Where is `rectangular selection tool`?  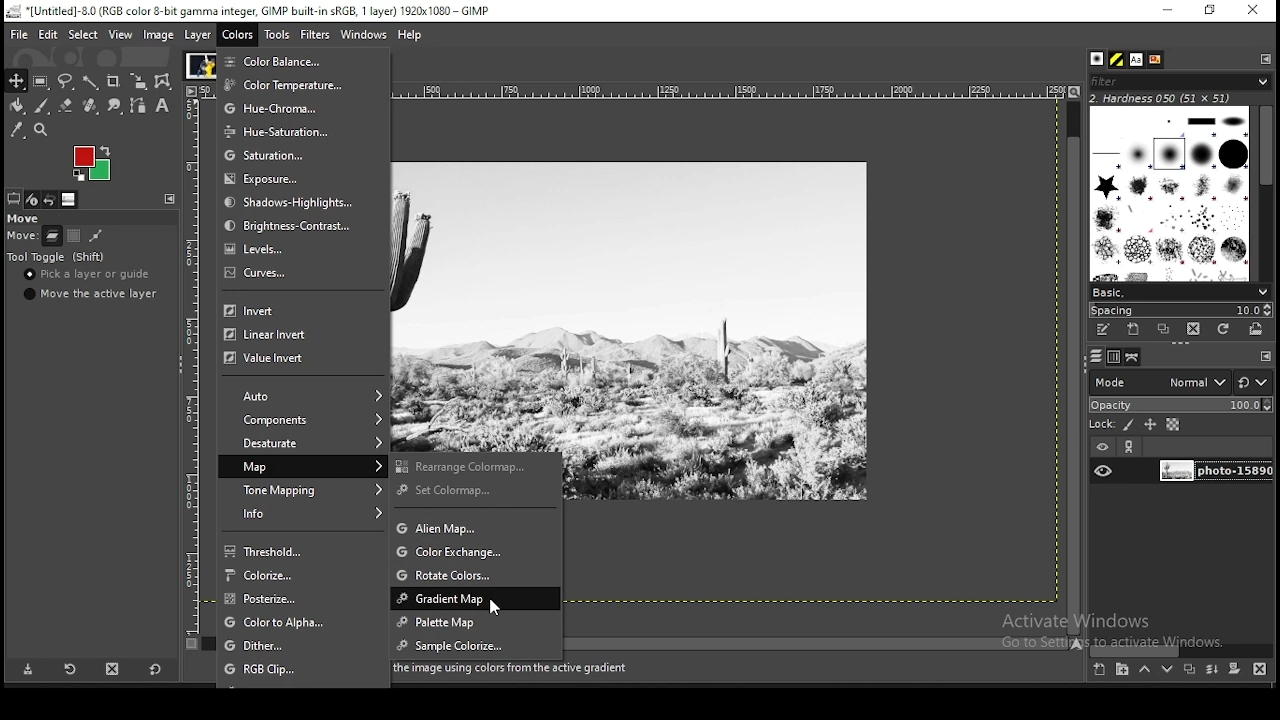 rectangular selection tool is located at coordinates (41, 81).